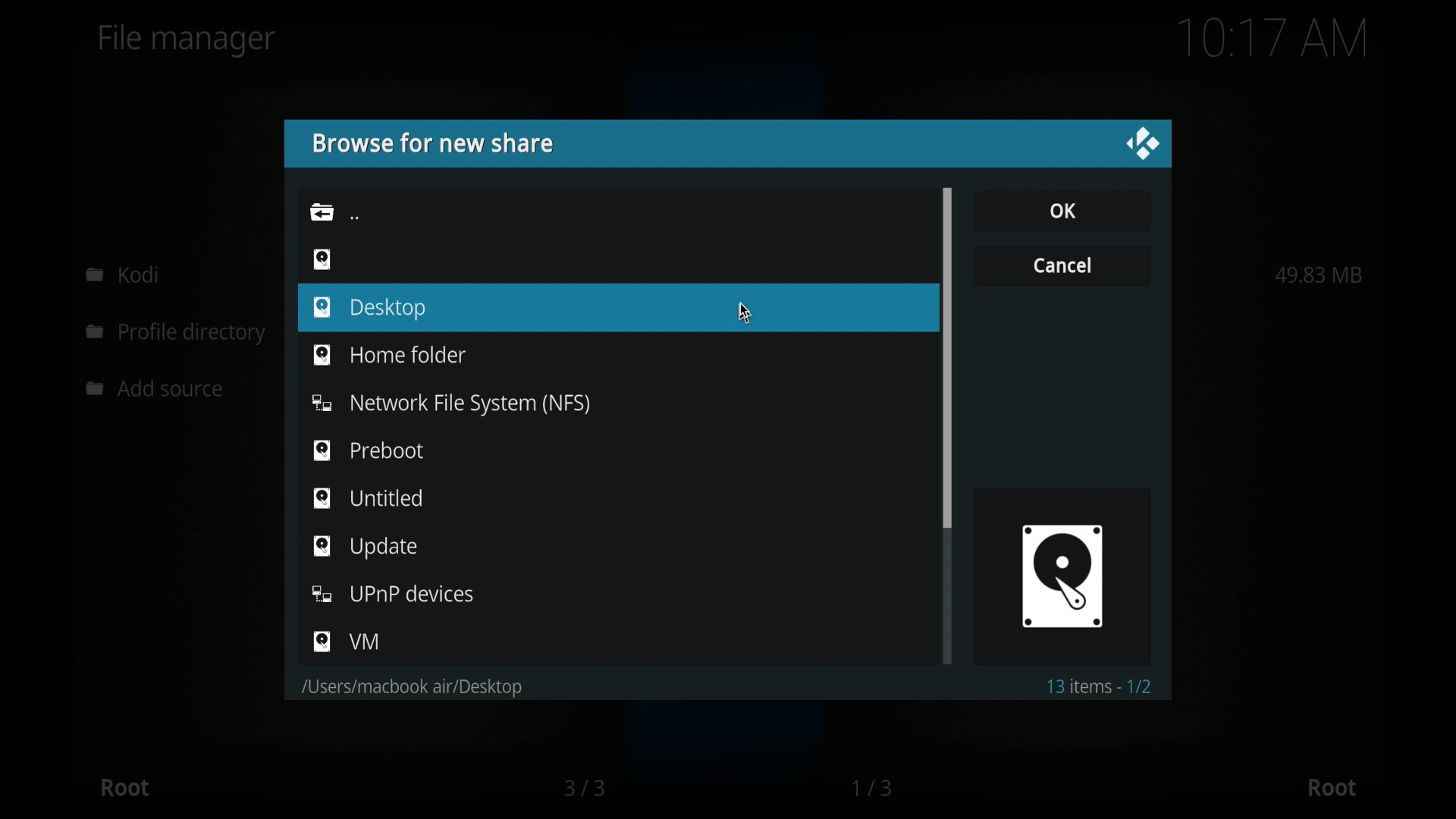 This screenshot has width=1456, height=819. Describe the element at coordinates (450, 404) in the screenshot. I see `network file system` at that location.